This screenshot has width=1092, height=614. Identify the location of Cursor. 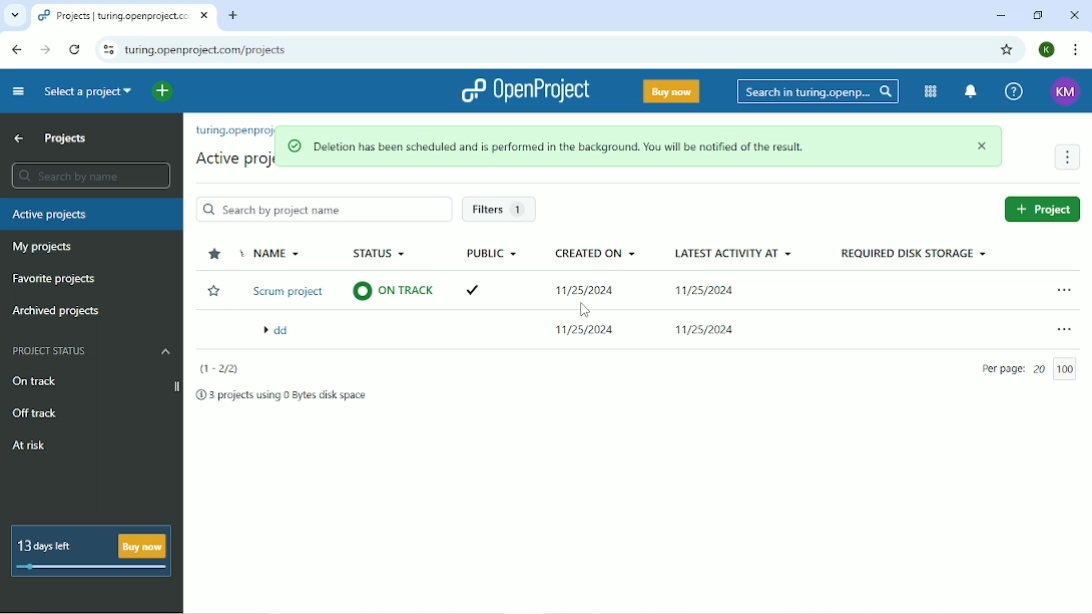
(585, 311).